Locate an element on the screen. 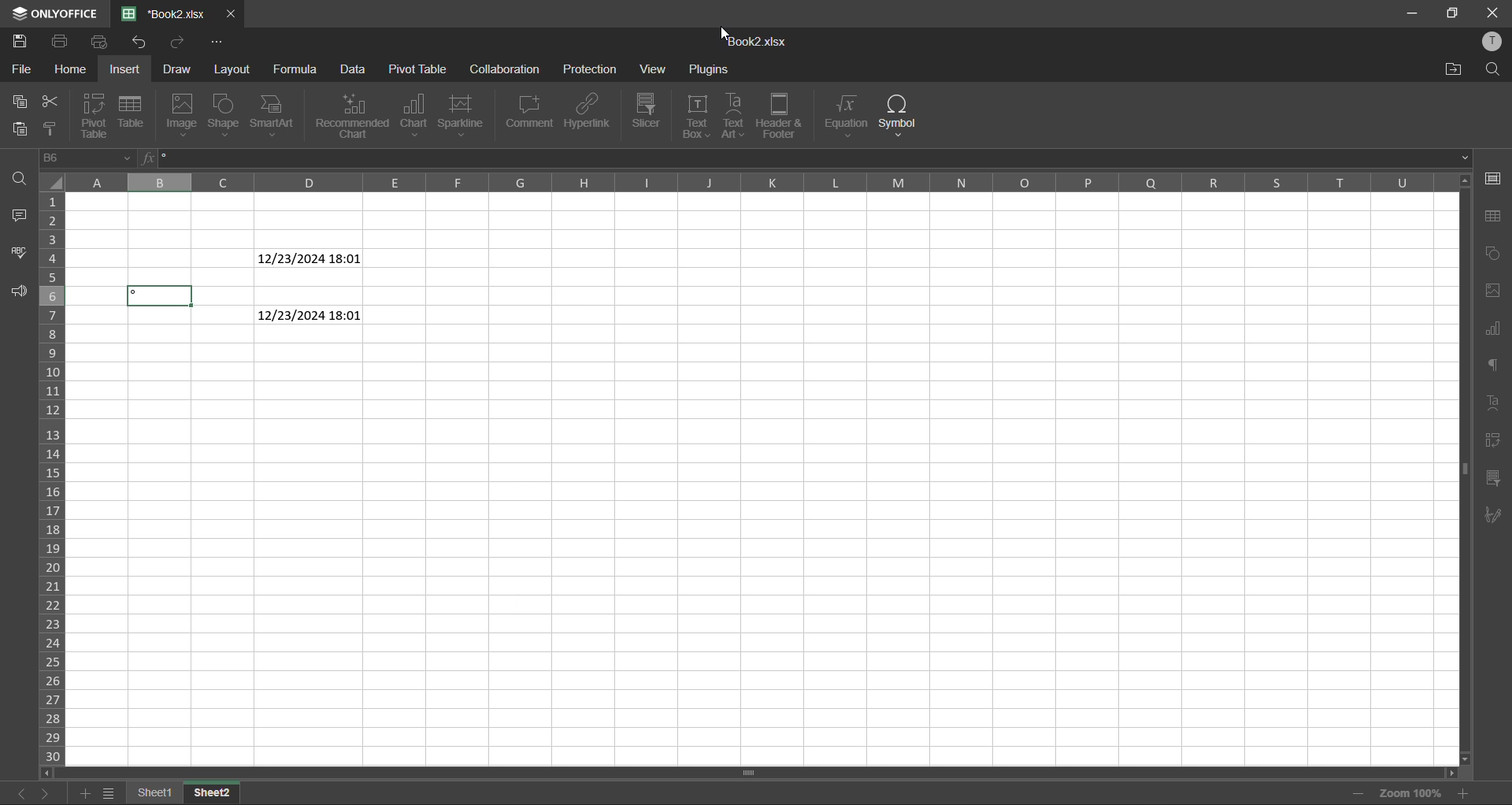 This screenshot has width=1512, height=805. 12/23/24 18:01 is located at coordinates (309, 315).